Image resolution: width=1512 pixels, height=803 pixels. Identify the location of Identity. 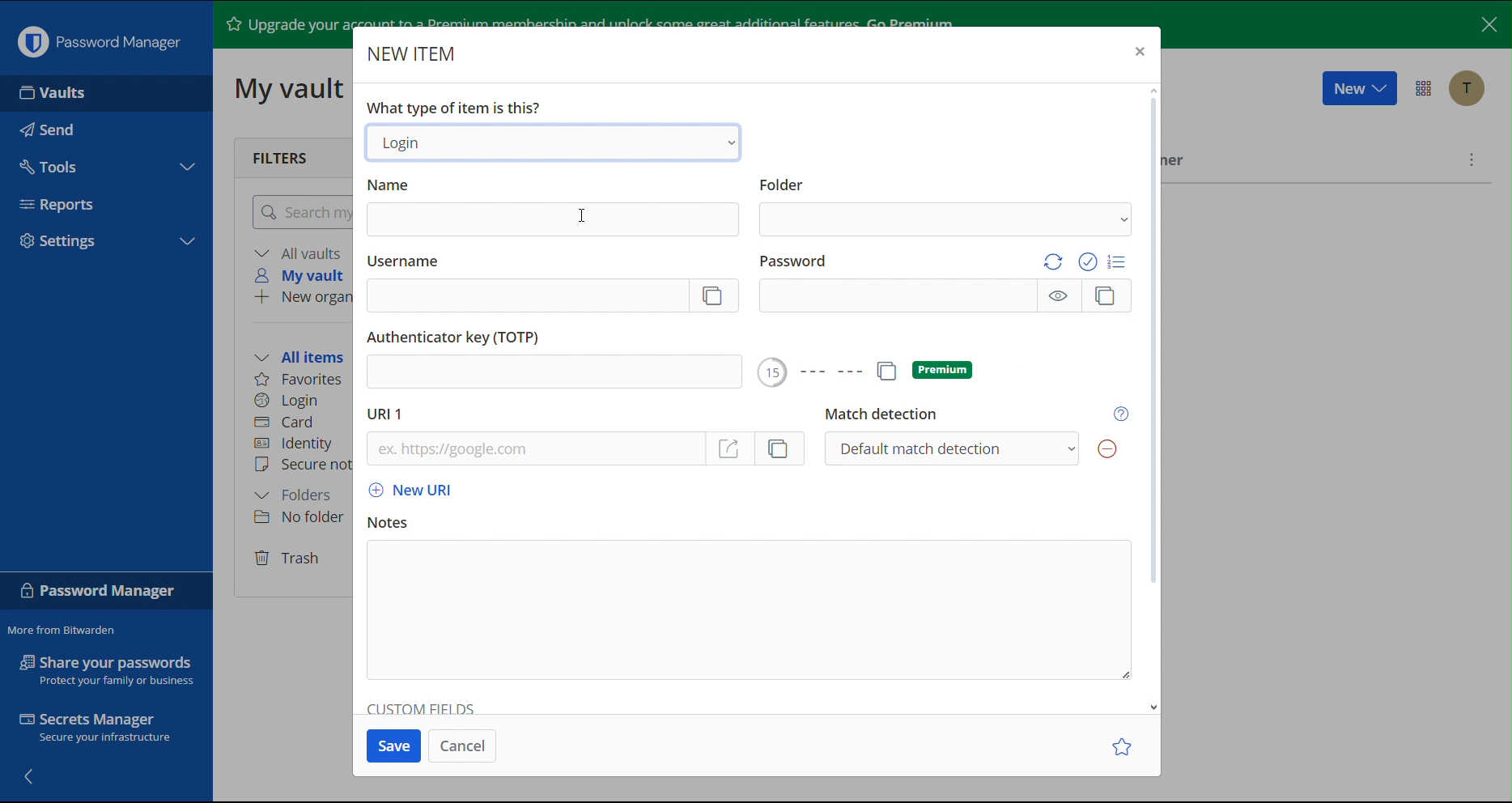
(291, 444).